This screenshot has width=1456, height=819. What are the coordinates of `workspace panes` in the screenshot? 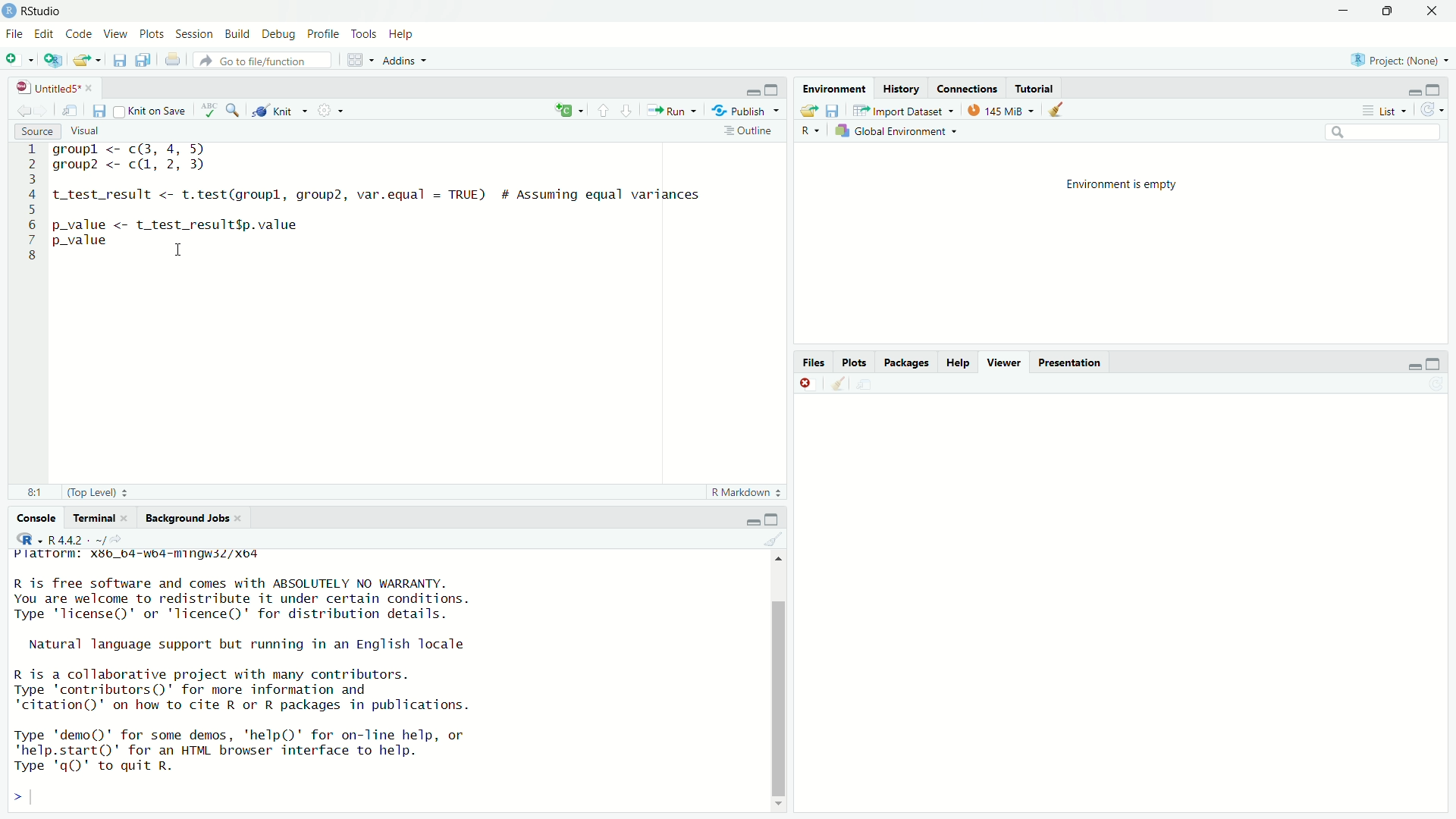 It's located at (354, 58).